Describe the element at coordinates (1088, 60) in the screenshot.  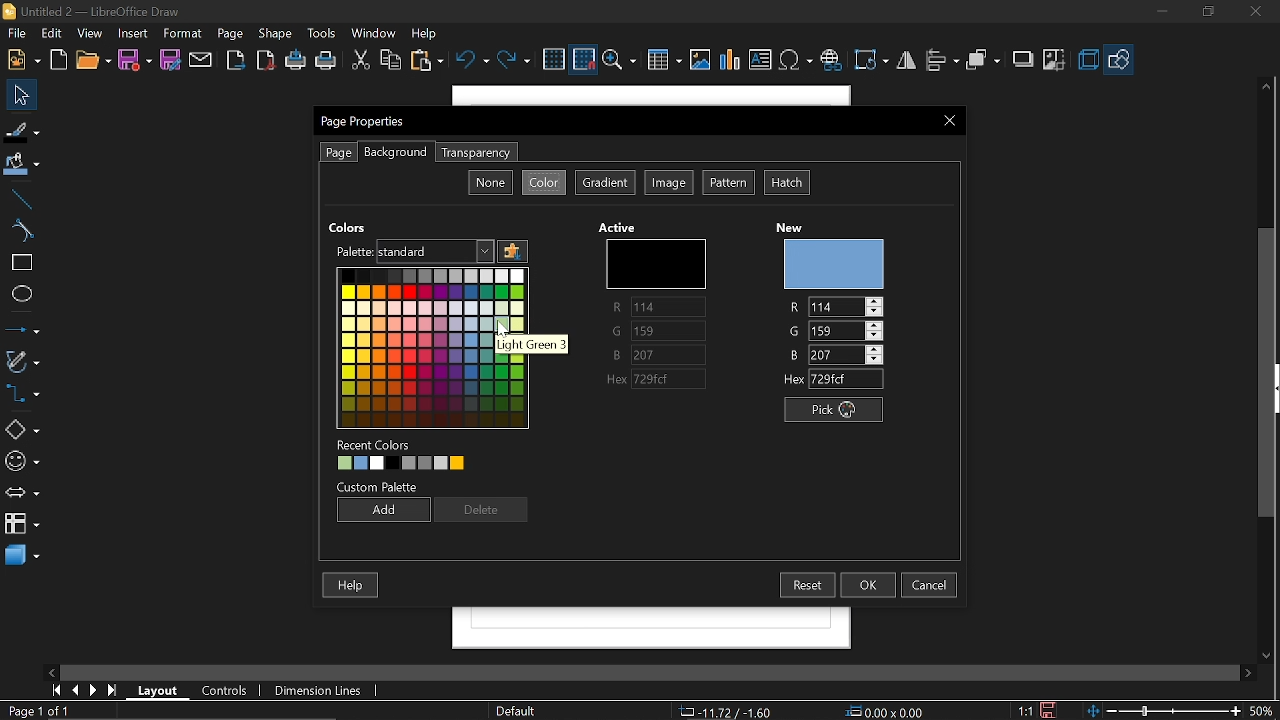
I see `3d effects` at that location.